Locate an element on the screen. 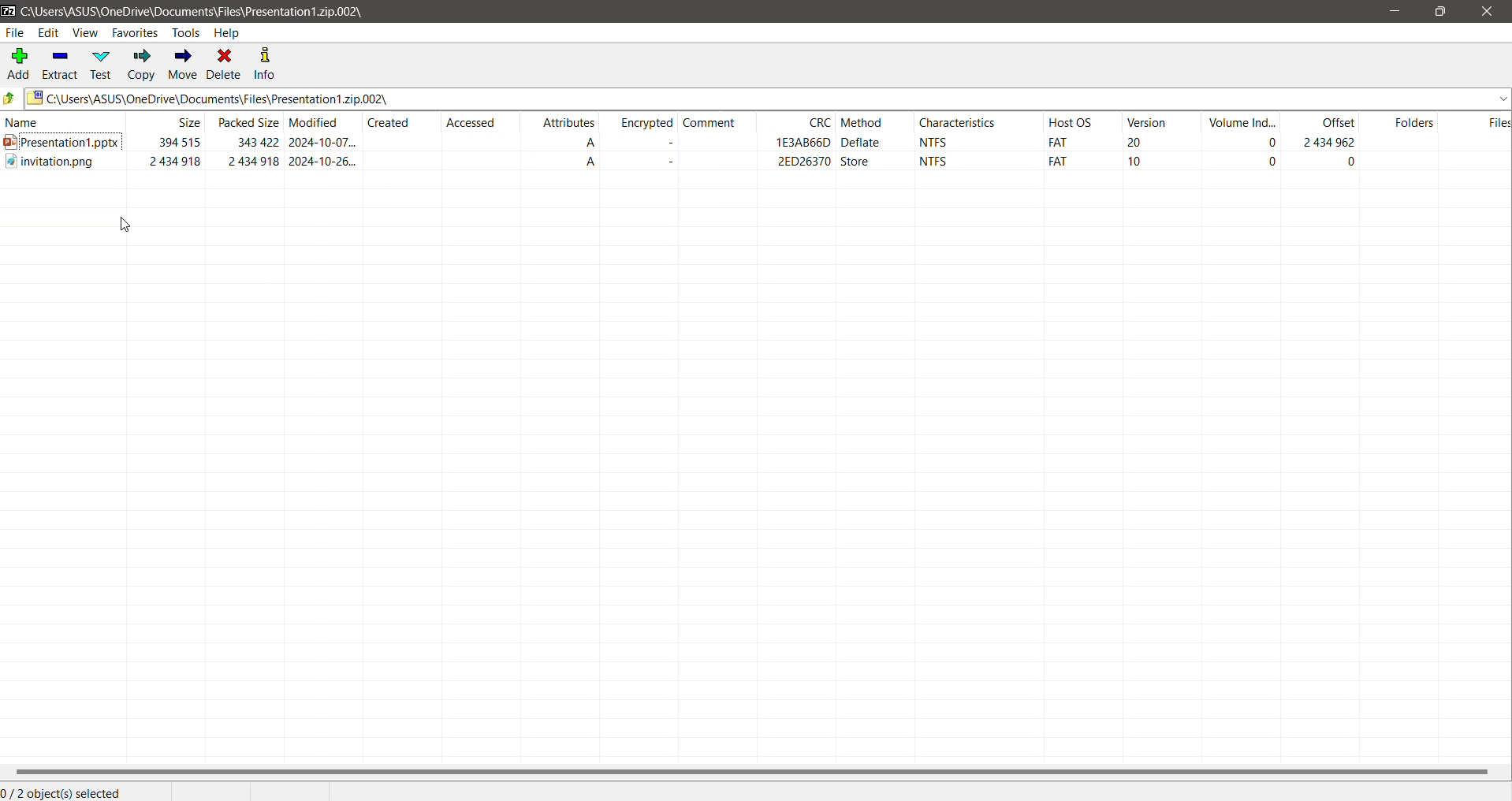 The width and height of the screenshot is (1512, 801). 0 is located at coordinates (1351, 164).